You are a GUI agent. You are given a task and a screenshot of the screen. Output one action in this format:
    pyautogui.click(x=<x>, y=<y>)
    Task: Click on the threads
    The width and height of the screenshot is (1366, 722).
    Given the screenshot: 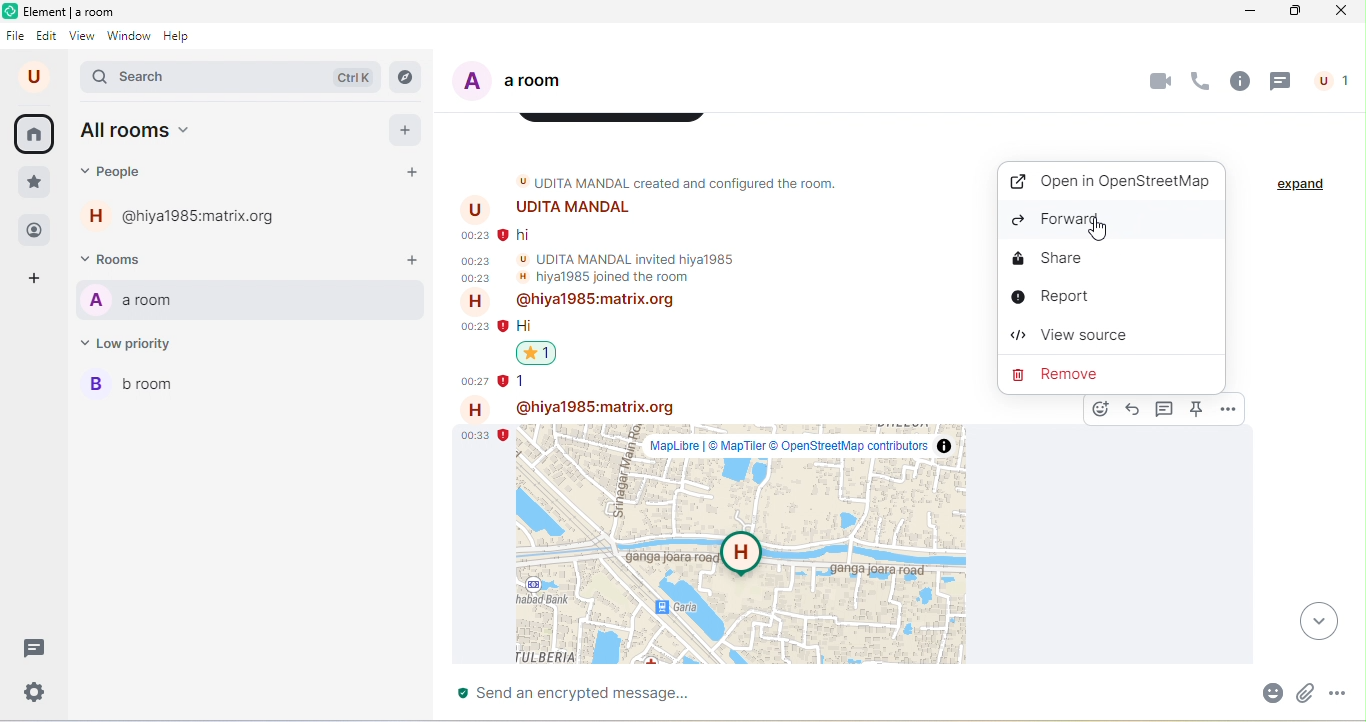 What is the action you would take?
    pyautogui.click(x=1280, y=82)
    